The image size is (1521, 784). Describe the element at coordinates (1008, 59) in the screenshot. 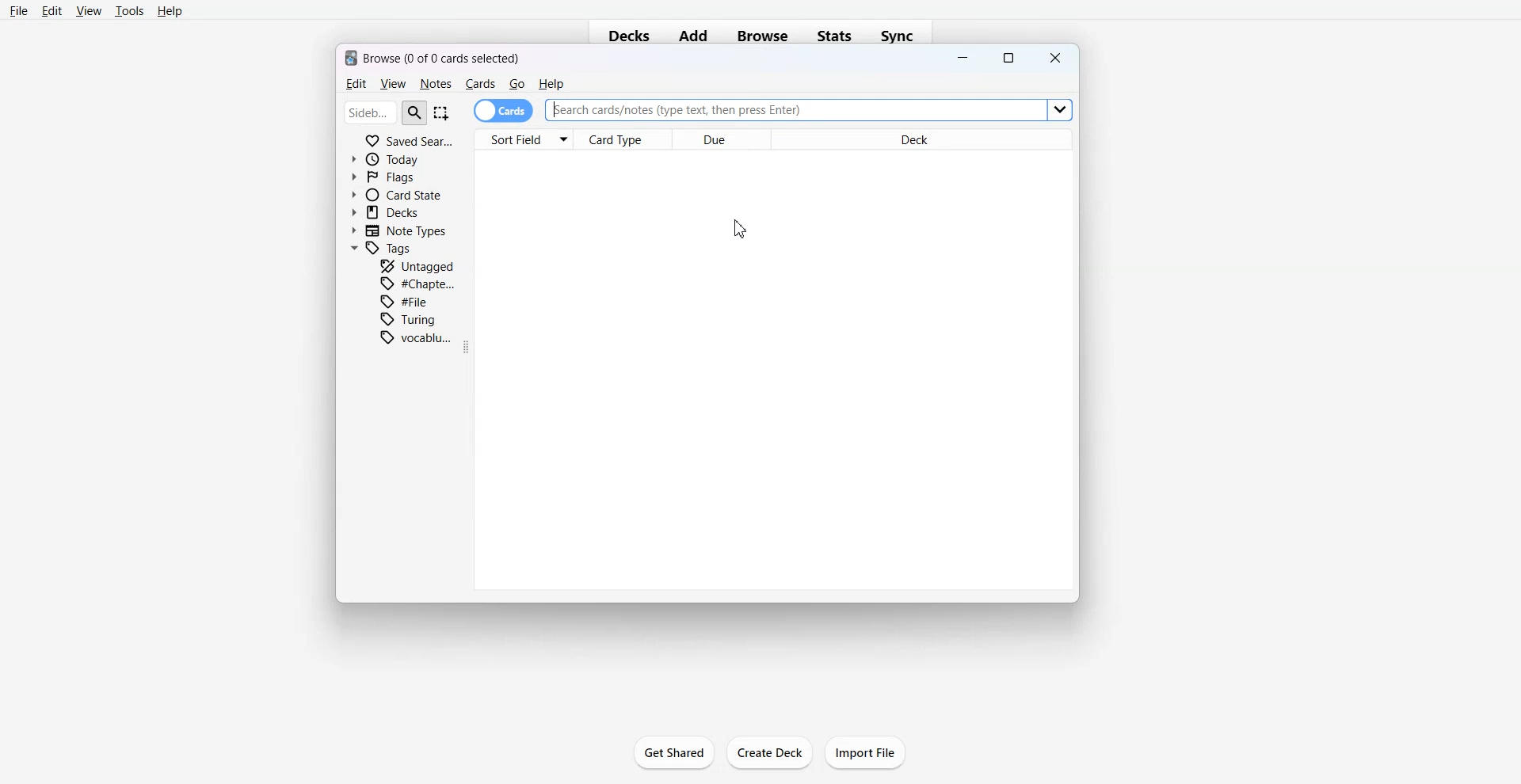

I see `Maximize` at that location.